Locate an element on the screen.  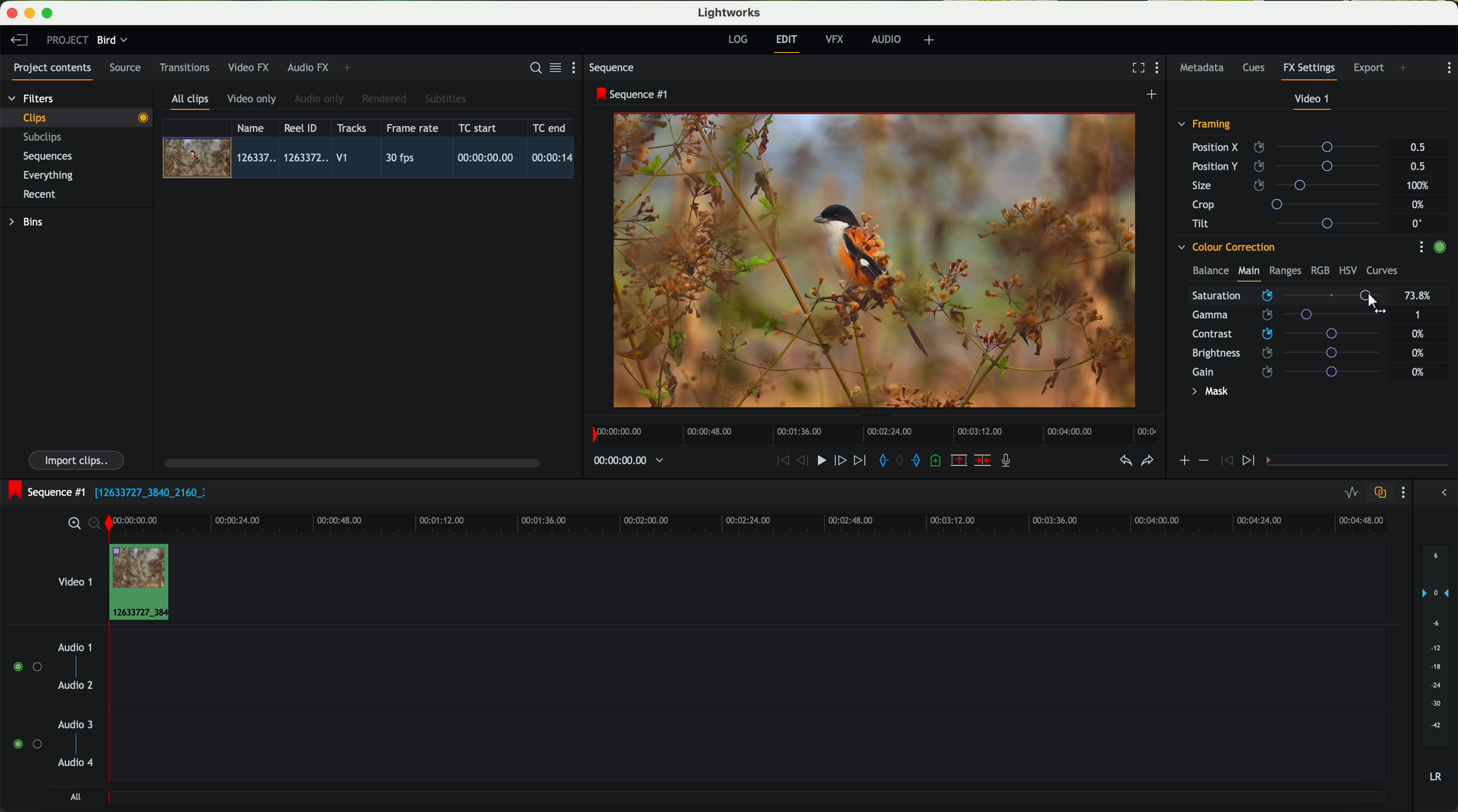
show settings menu is located at coordinates (1160, 69).